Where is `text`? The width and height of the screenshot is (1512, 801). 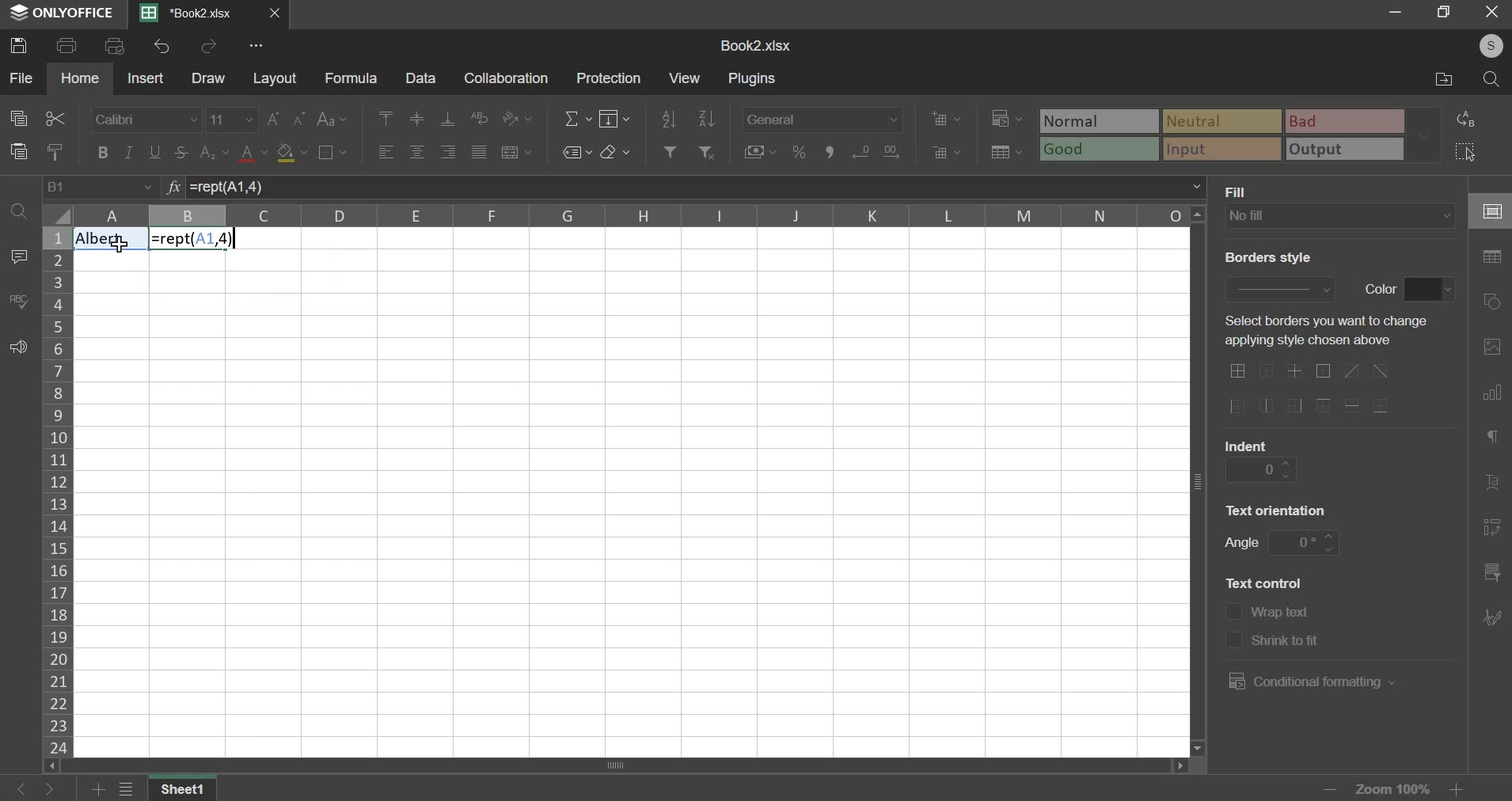 text is located at coordinates (1286, 638).